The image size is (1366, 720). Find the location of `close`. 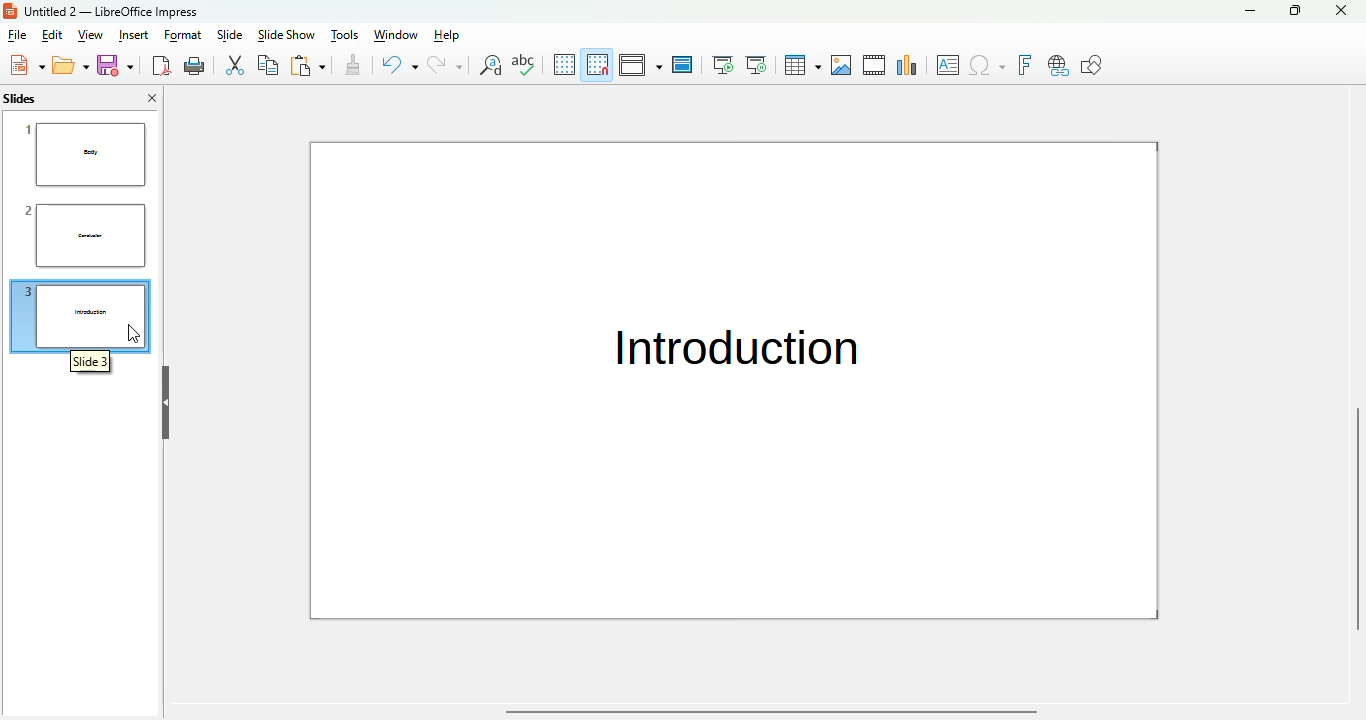

close is located at coordinates (1340, 10).